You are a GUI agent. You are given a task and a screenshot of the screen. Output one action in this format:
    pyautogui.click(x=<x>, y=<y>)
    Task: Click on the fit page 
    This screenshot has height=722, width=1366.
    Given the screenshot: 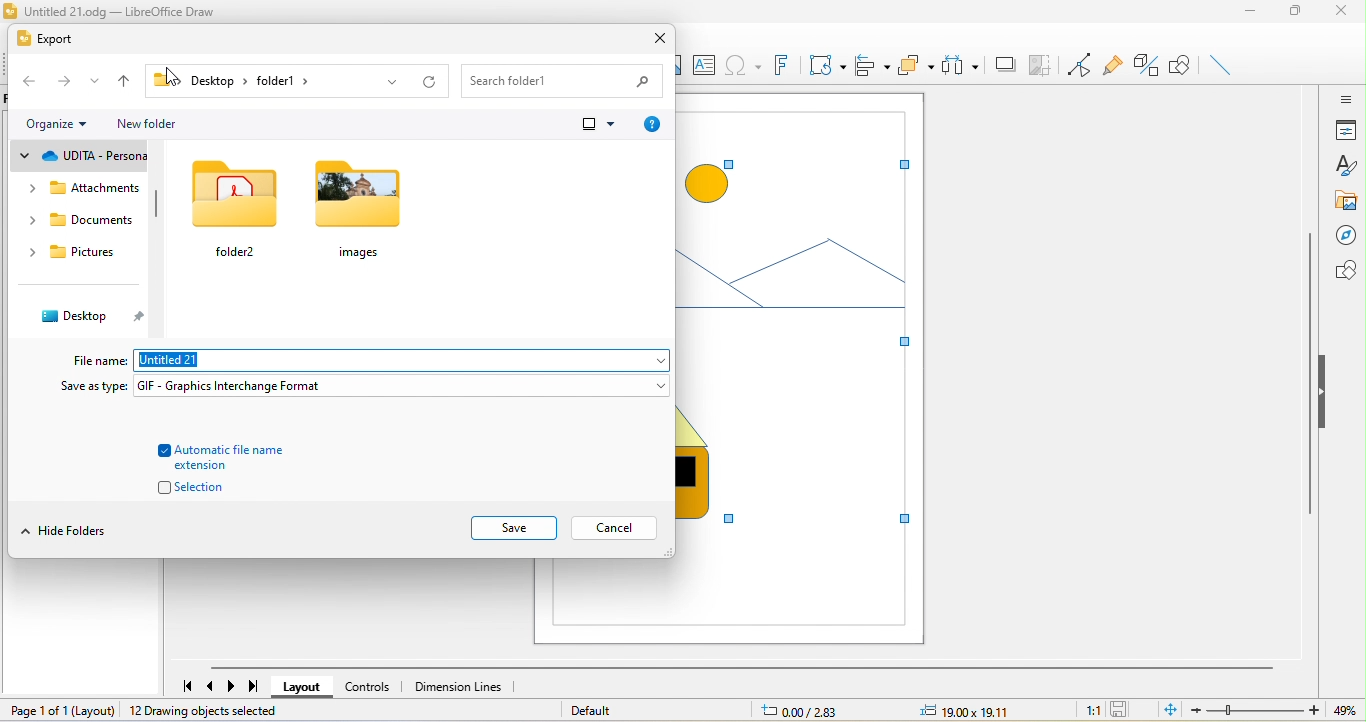 What is the action you would take?
    pyautogui.click(x=1170, y=710)
    